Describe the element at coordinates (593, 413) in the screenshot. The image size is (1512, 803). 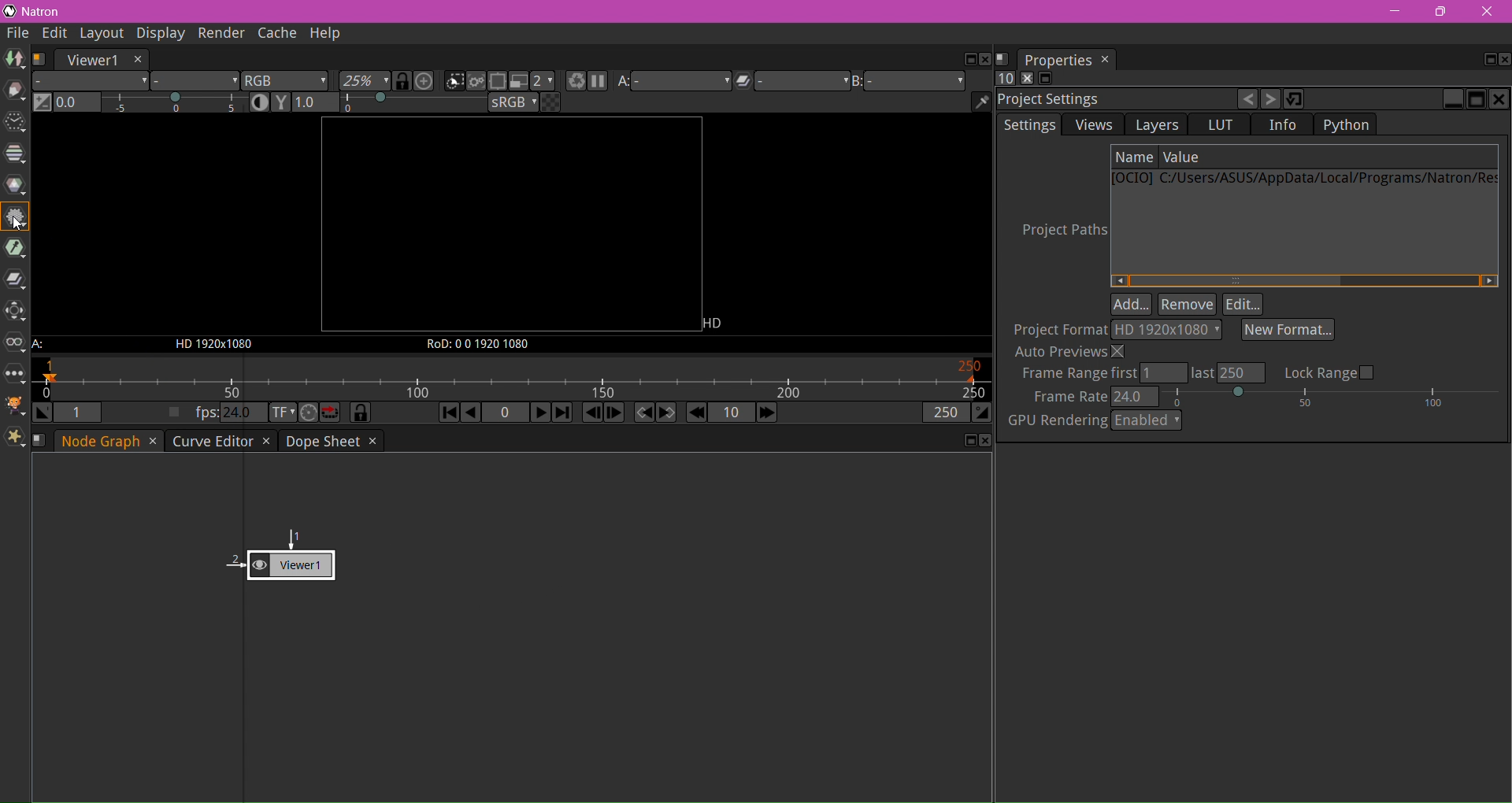
I see `Previous frame` at that location.